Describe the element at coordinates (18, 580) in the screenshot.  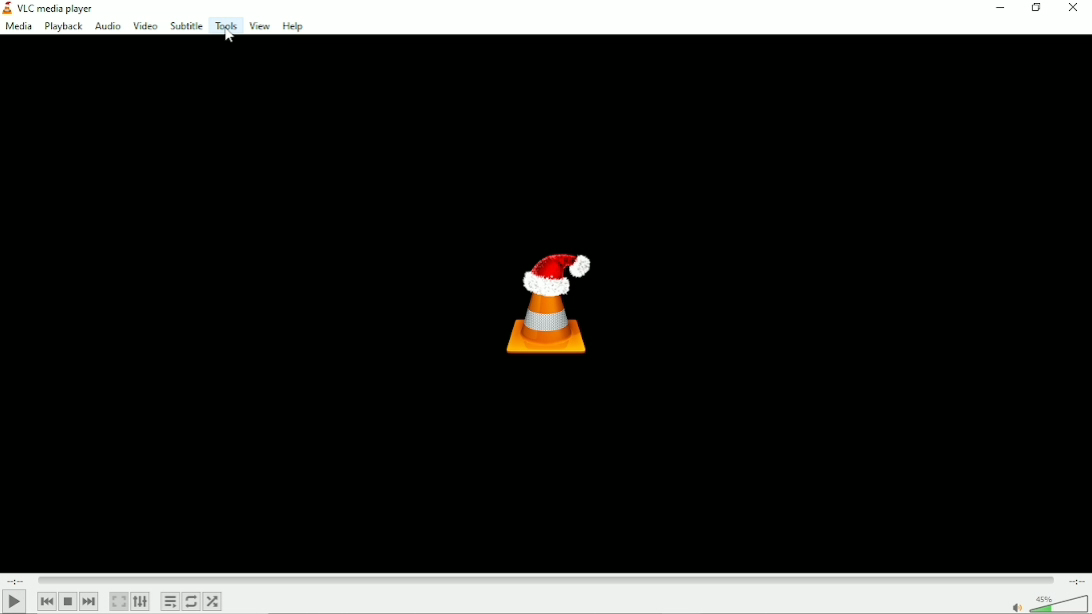
I see `Elapsed time` at that location.